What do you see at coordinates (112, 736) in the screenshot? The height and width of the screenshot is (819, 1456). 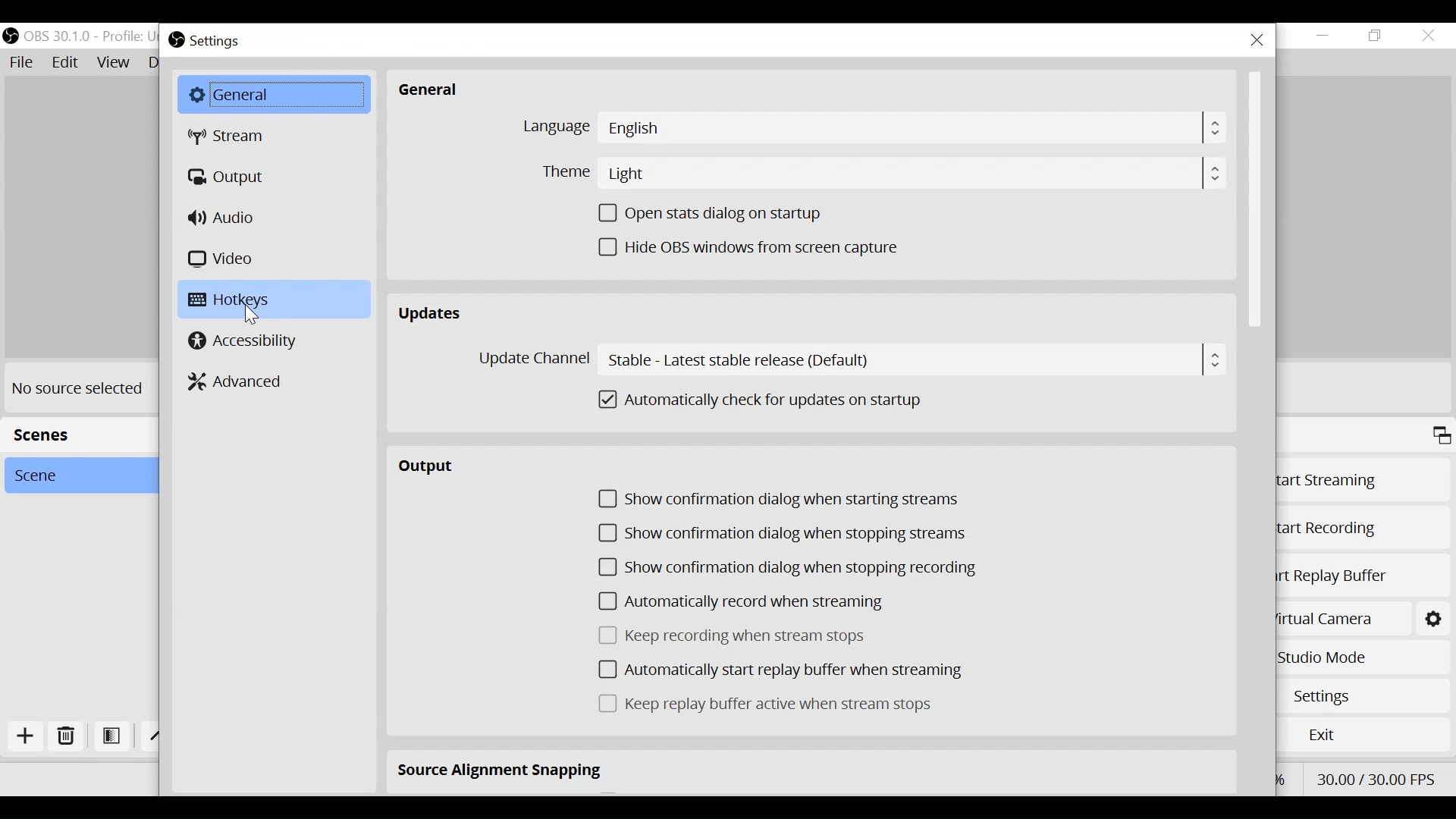 I see `Open Filter Scene` at bounding box center [112, 736].